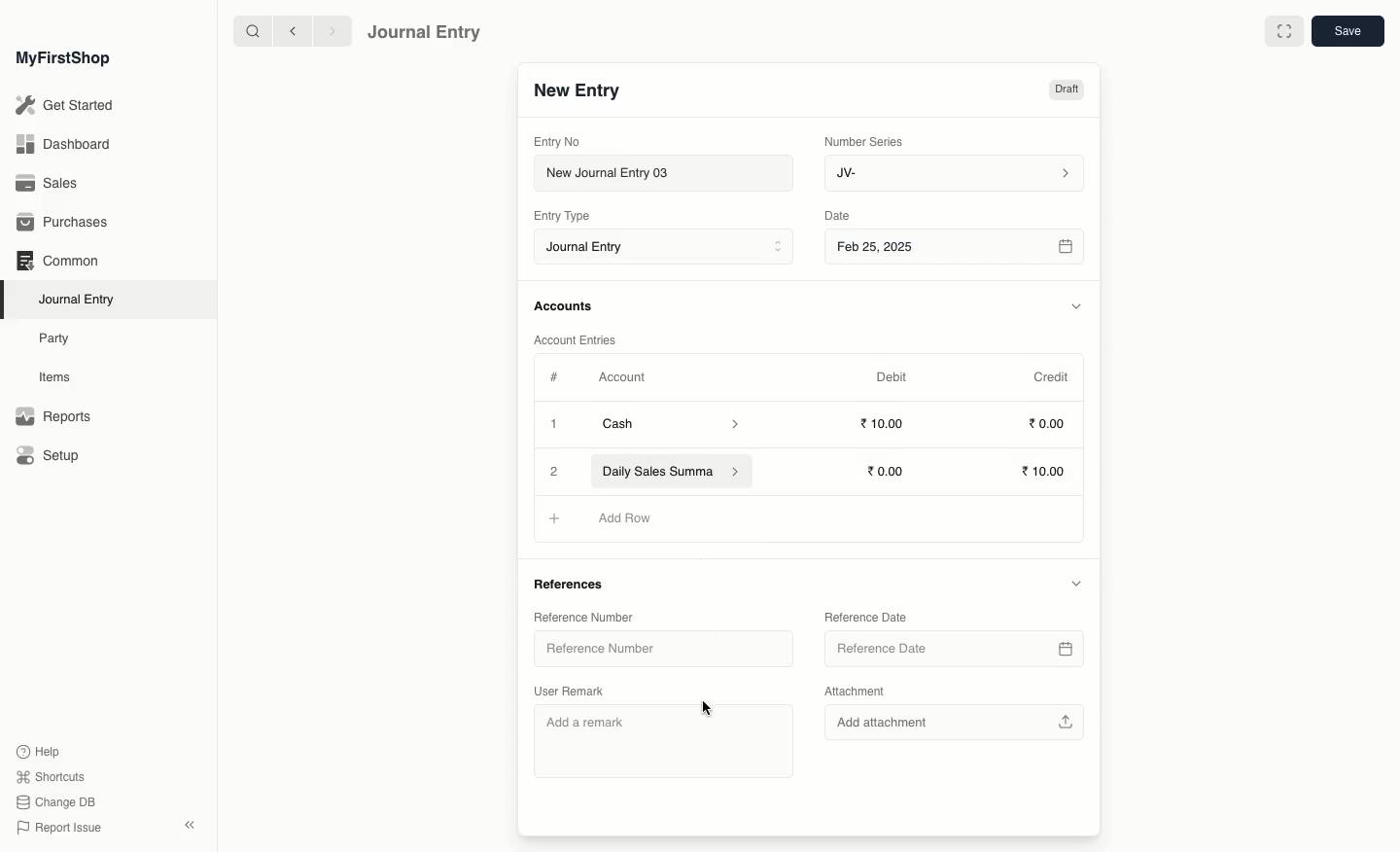 This screenshot has height=852, width=1400. Describe the element at coordinates (568, 216) in the screenshot. I see `Entry Type` at that location.